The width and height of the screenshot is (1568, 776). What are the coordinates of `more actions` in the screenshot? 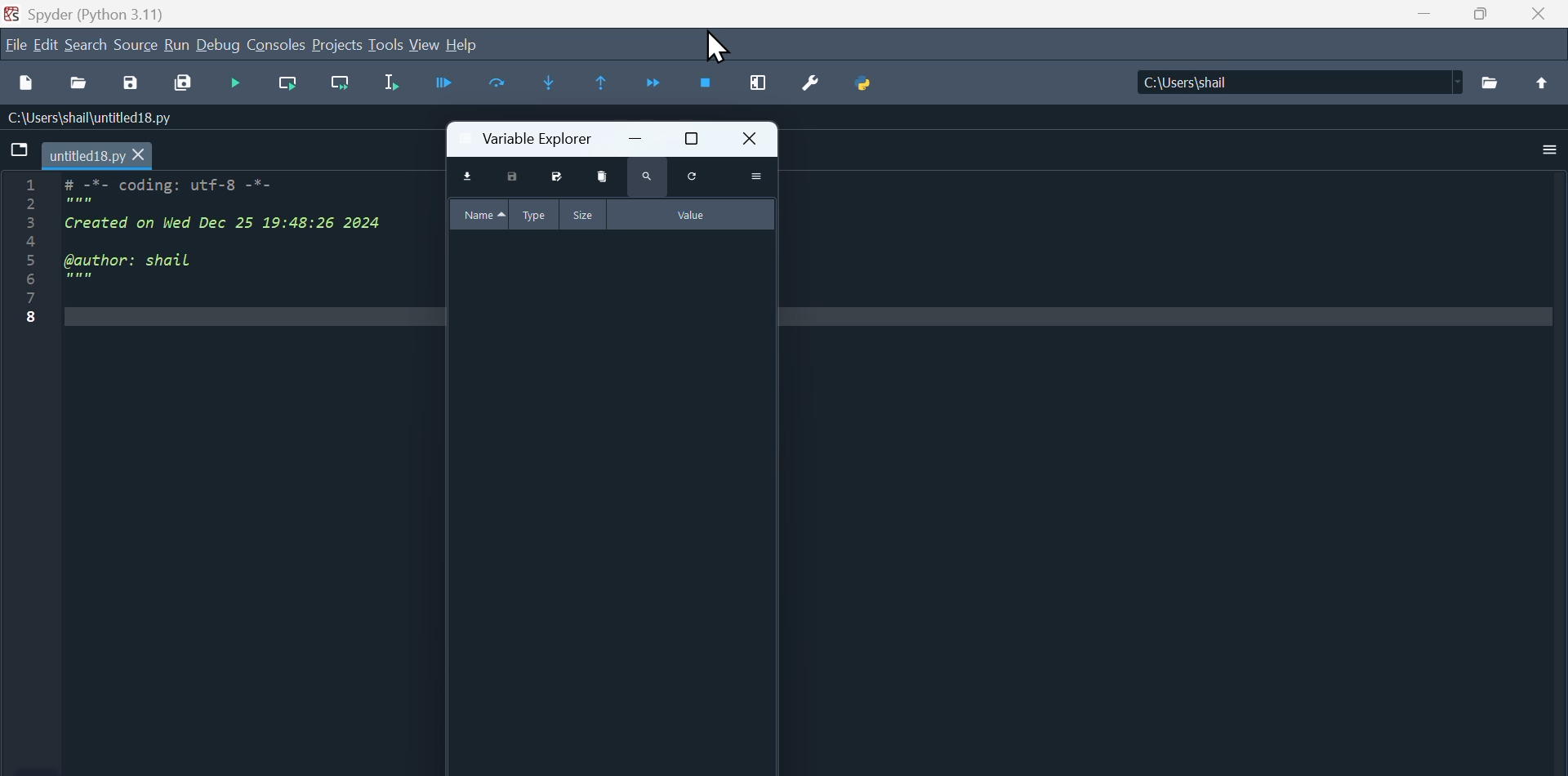 It's located at (1549, 150).